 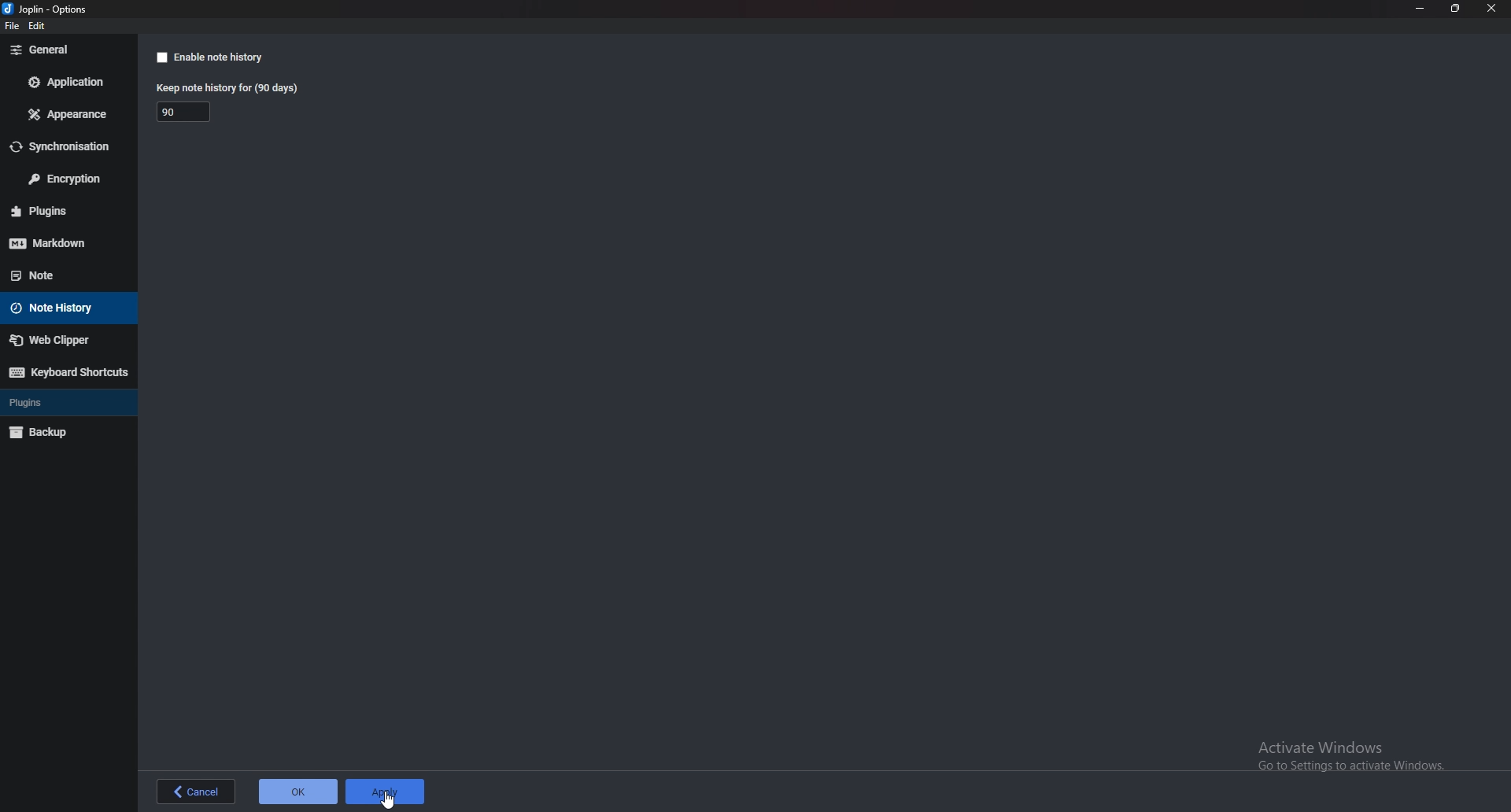 What do you see at coordinates (386, 790) in the screenshot?
I see `apply` at bounding box center [386, 790].